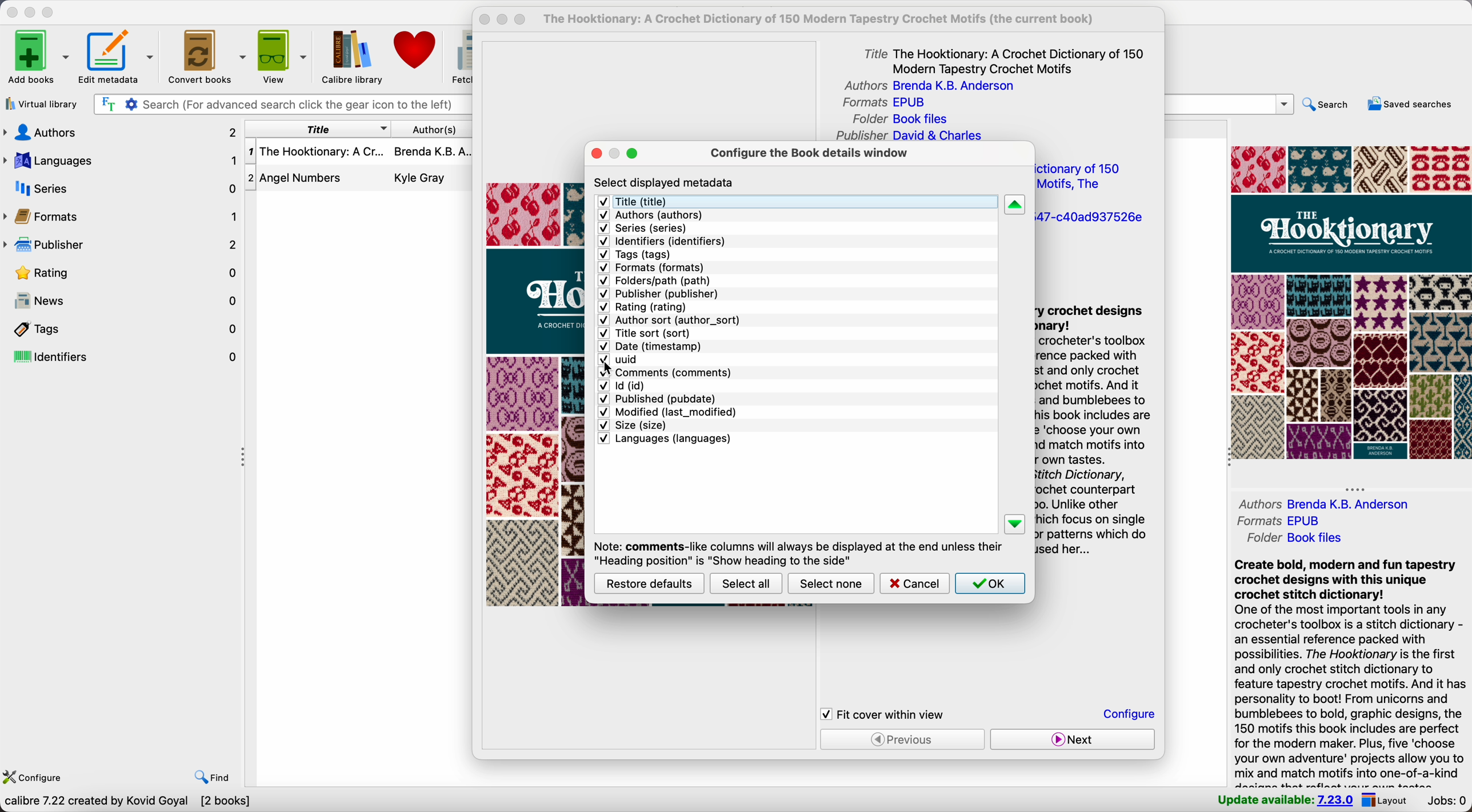  What do you see at coordinates (417, 50) in the screenshot?
I see `donate` at bounding box center [417, 50].